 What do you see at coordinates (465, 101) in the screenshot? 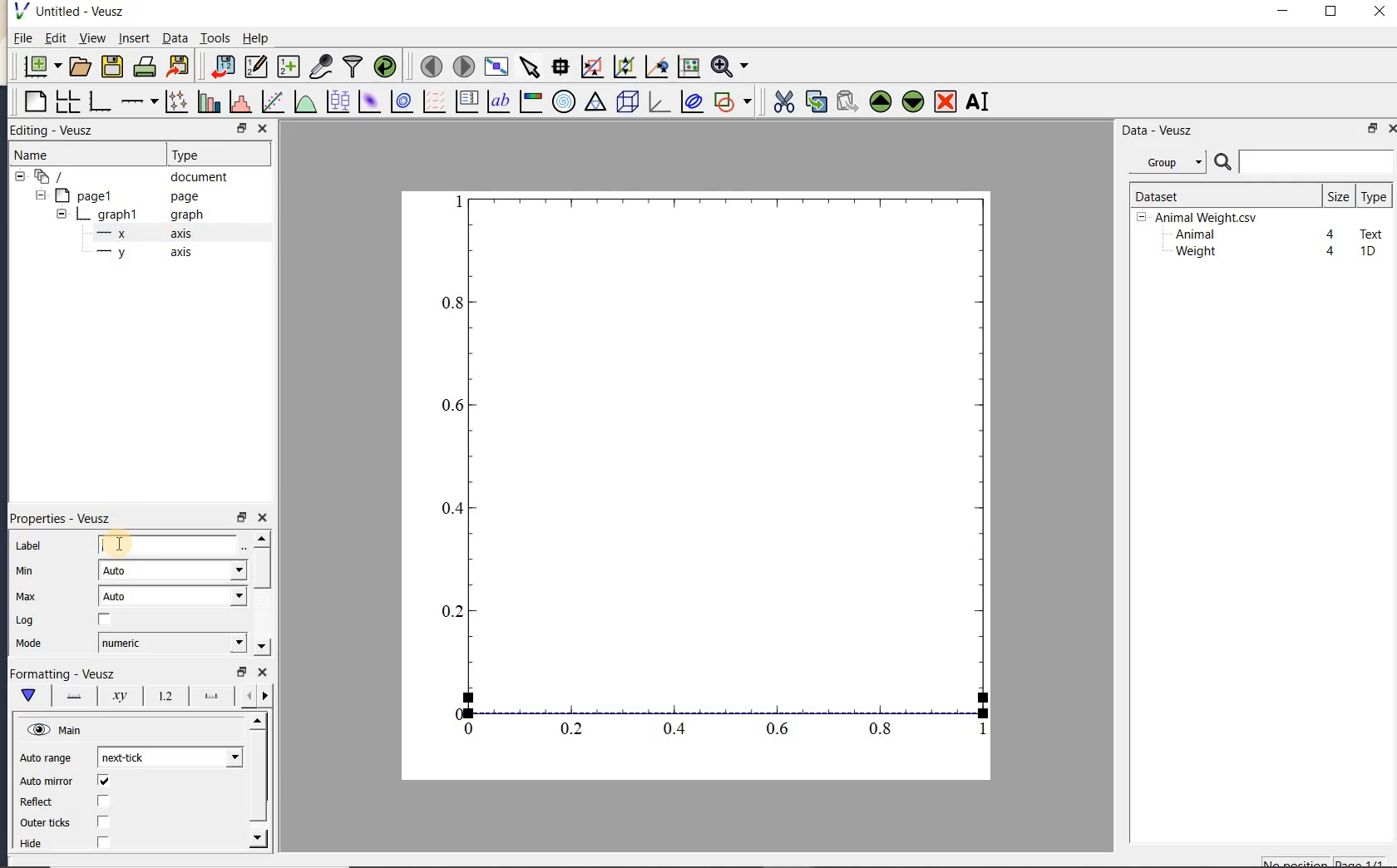
I see `plot key` at bounding box center [465, 101].